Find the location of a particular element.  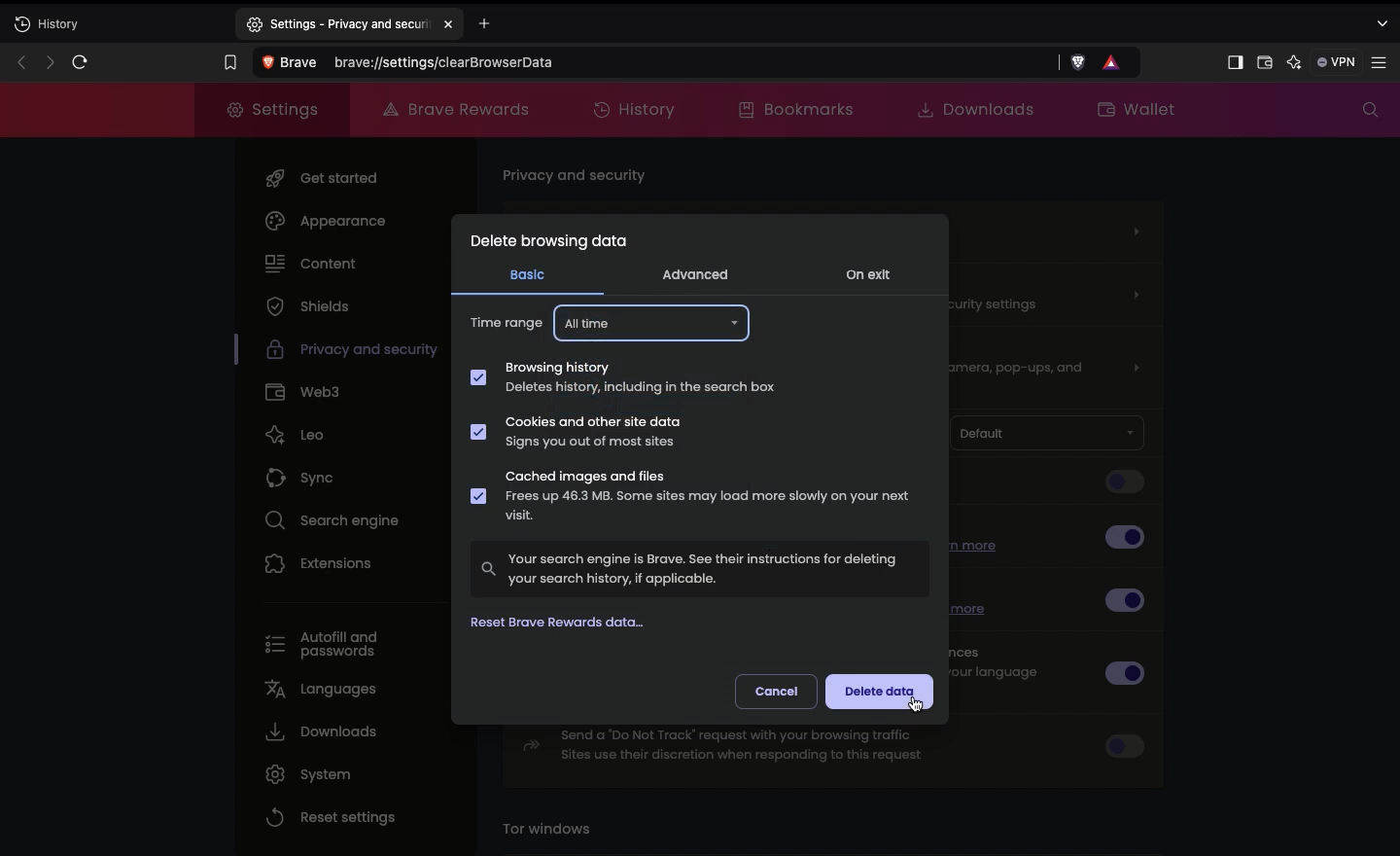

Tor windows is located at coordinates (553, 830).